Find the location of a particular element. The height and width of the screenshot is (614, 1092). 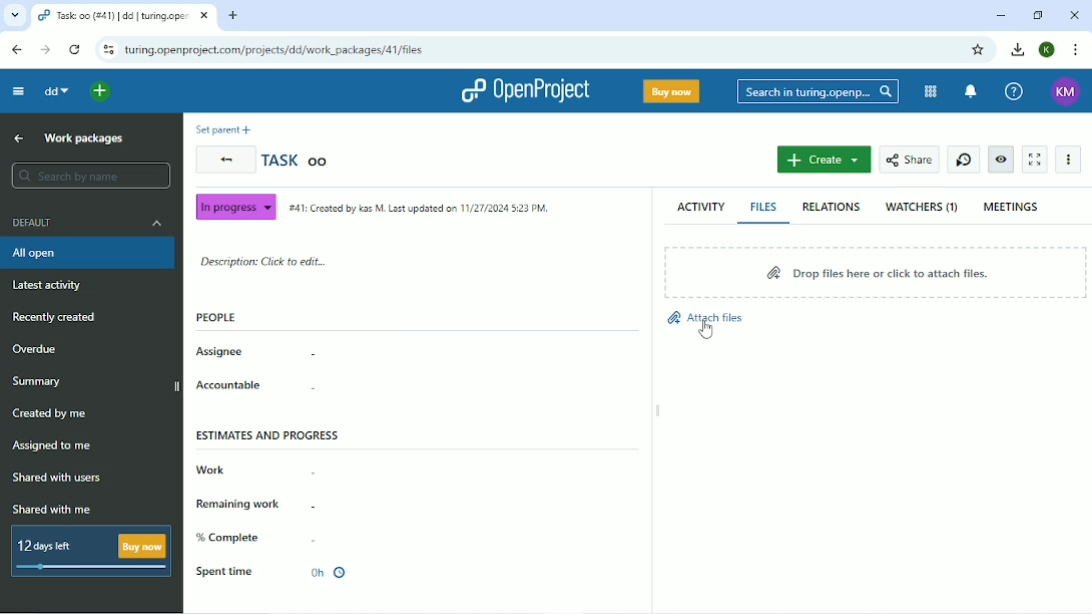

Relations is located at coordinates (831, 207).